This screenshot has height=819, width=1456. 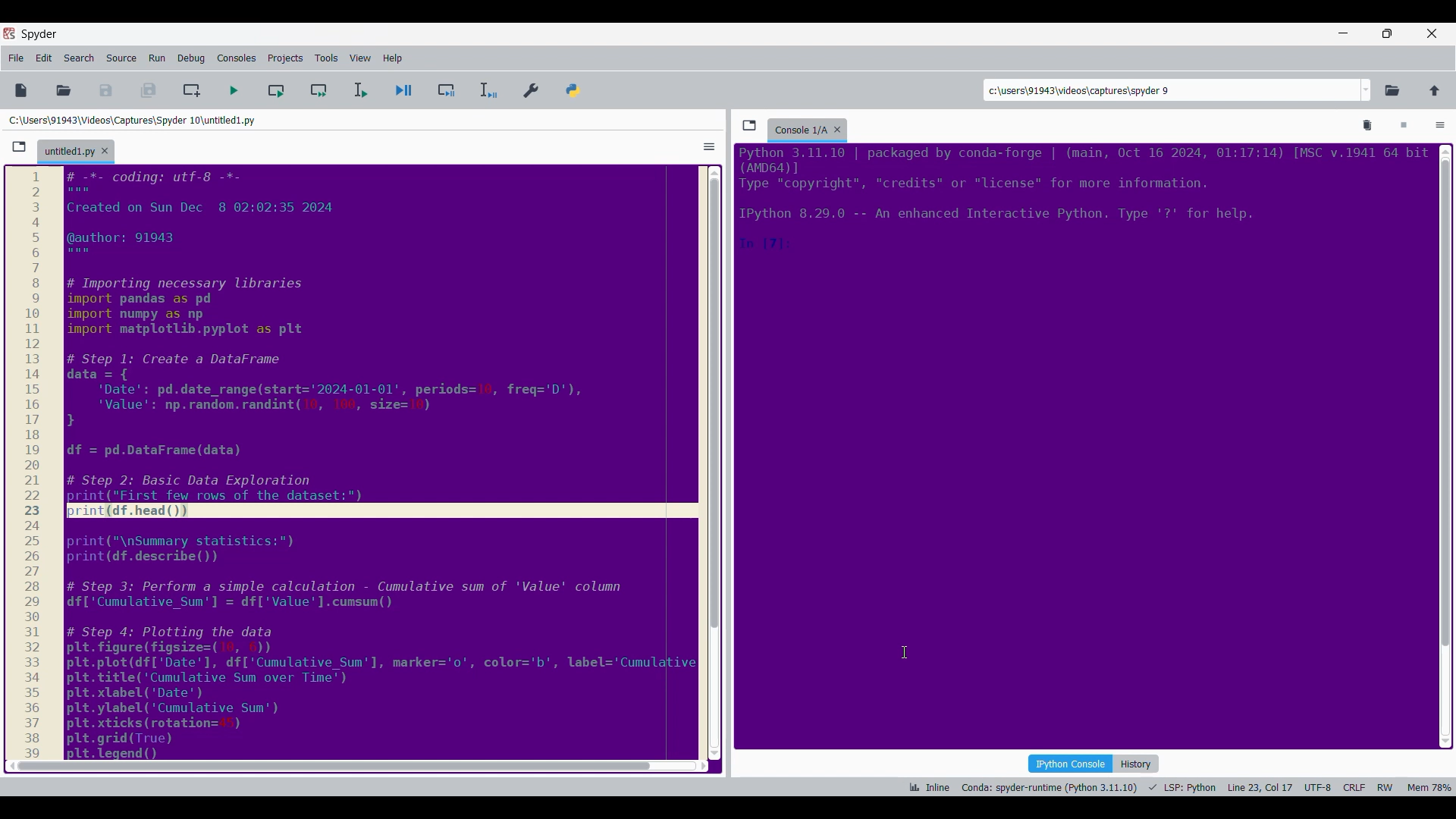 I want to click on Create new cell at current line, so click(x=192, y=90).